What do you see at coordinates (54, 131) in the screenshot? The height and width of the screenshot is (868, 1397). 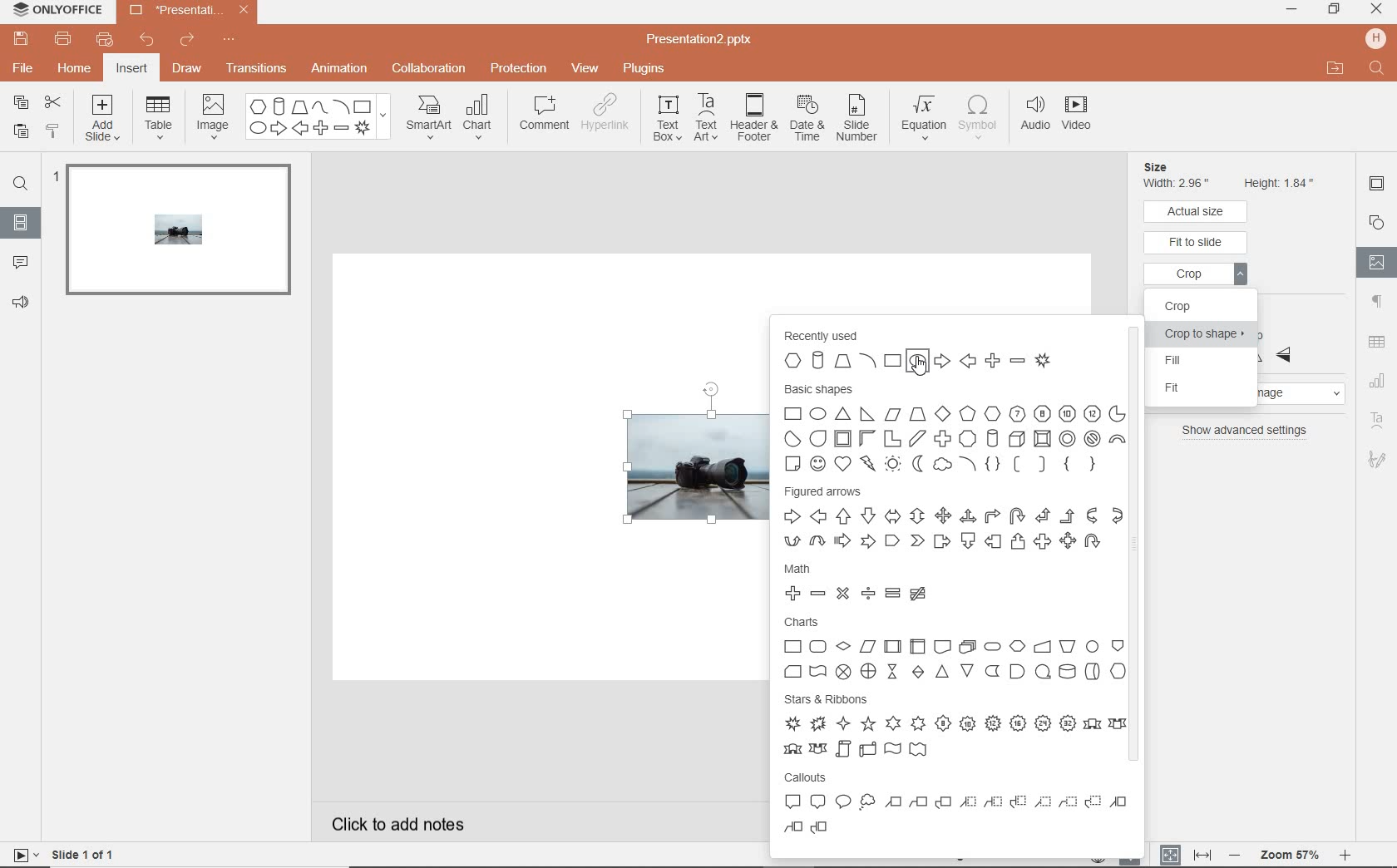 I see `copy style` at bounding box center [54, 131].